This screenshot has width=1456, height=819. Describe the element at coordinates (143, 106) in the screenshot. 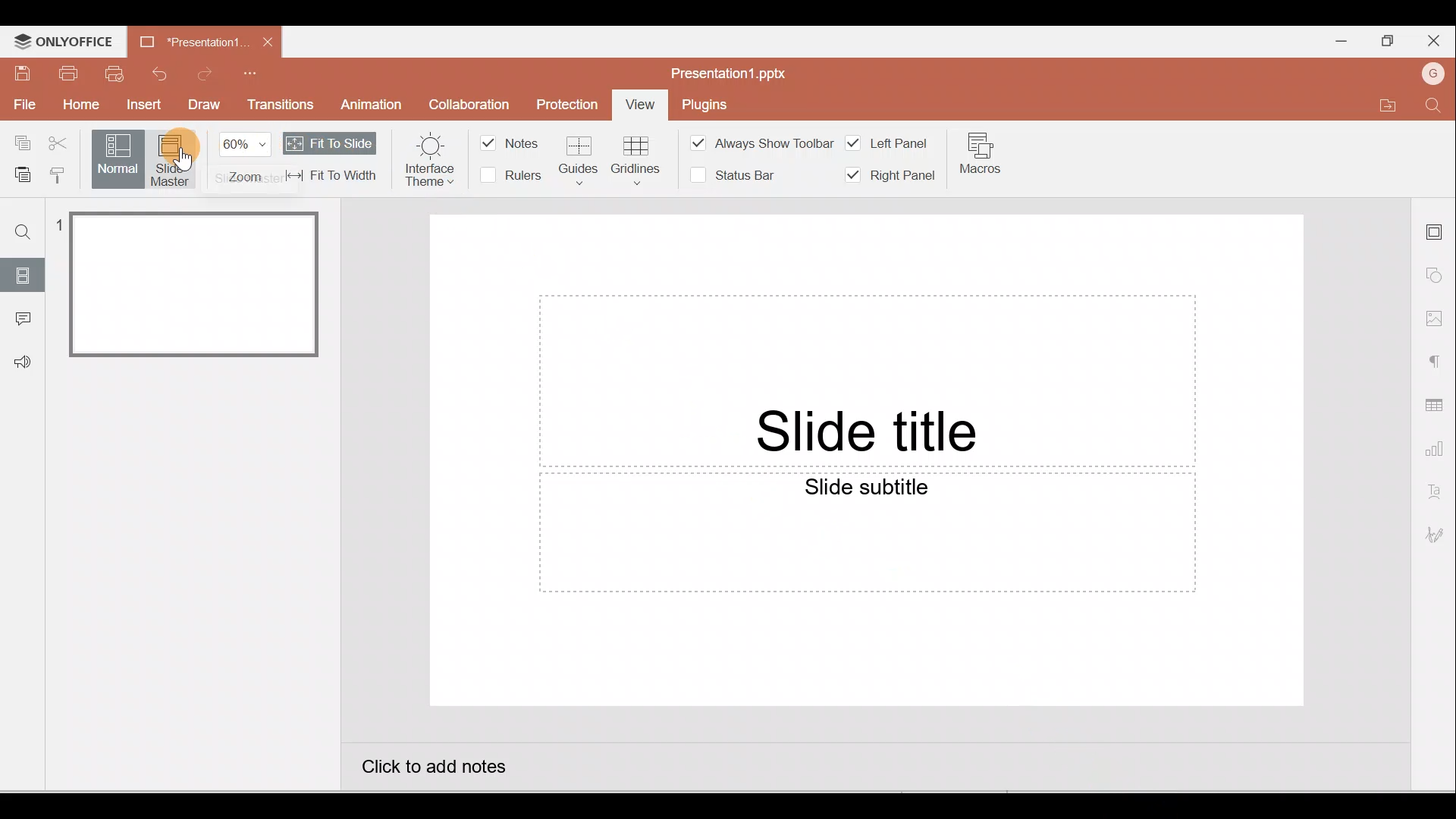

I see `Insert` at that location.